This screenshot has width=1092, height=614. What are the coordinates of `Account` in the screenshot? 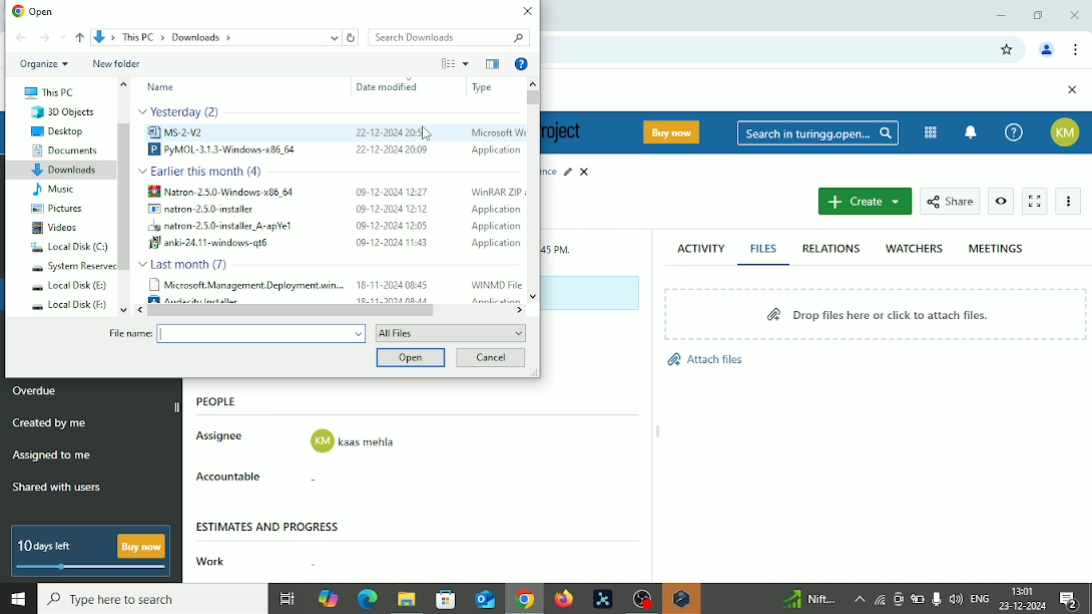 It's located at (1047, 51).